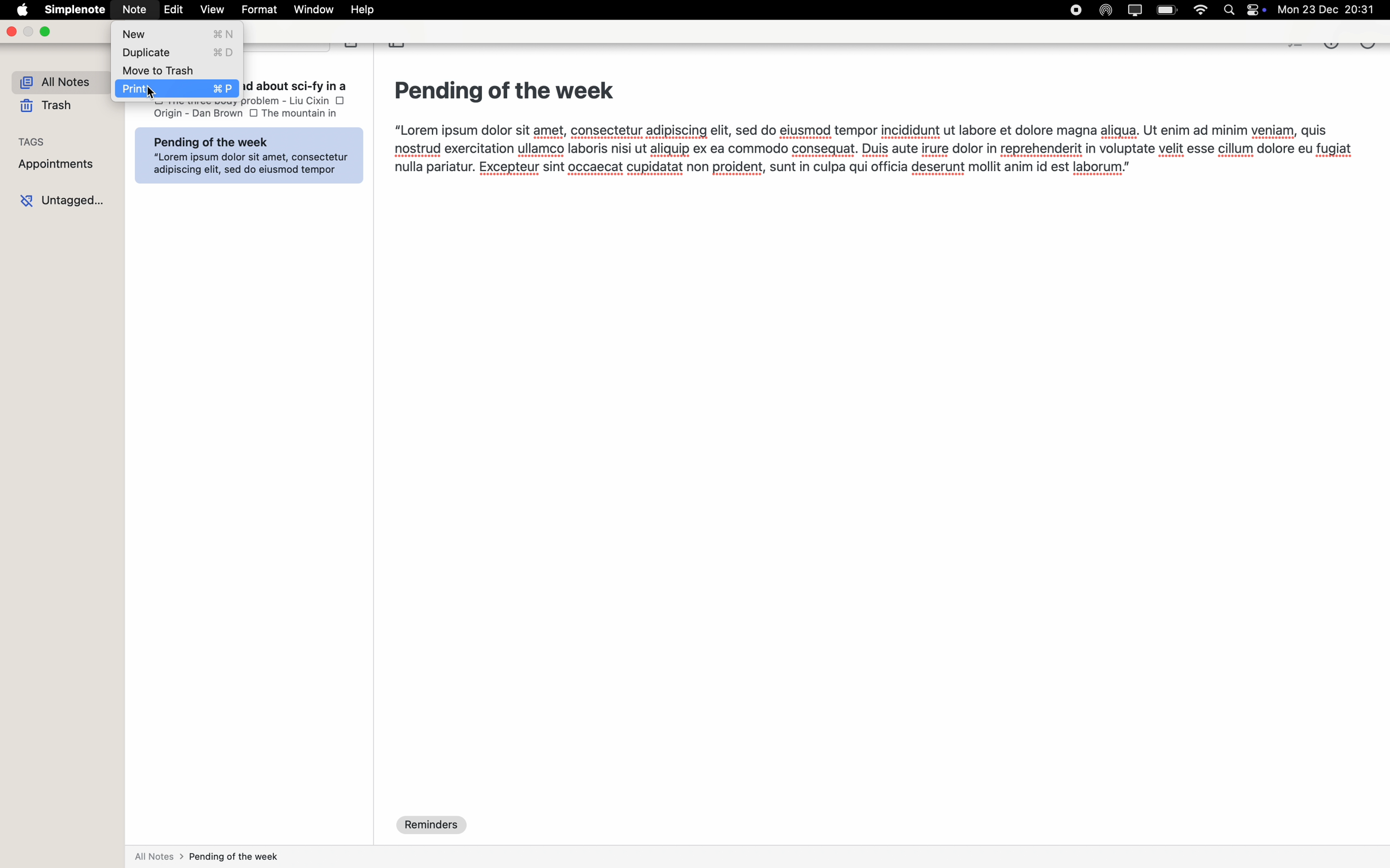 Image resolution: width=1390 pixels, height=868 pixels. Describe the element at coordinates (1200, 11) in the screenshot. I see `wifi` at that location.